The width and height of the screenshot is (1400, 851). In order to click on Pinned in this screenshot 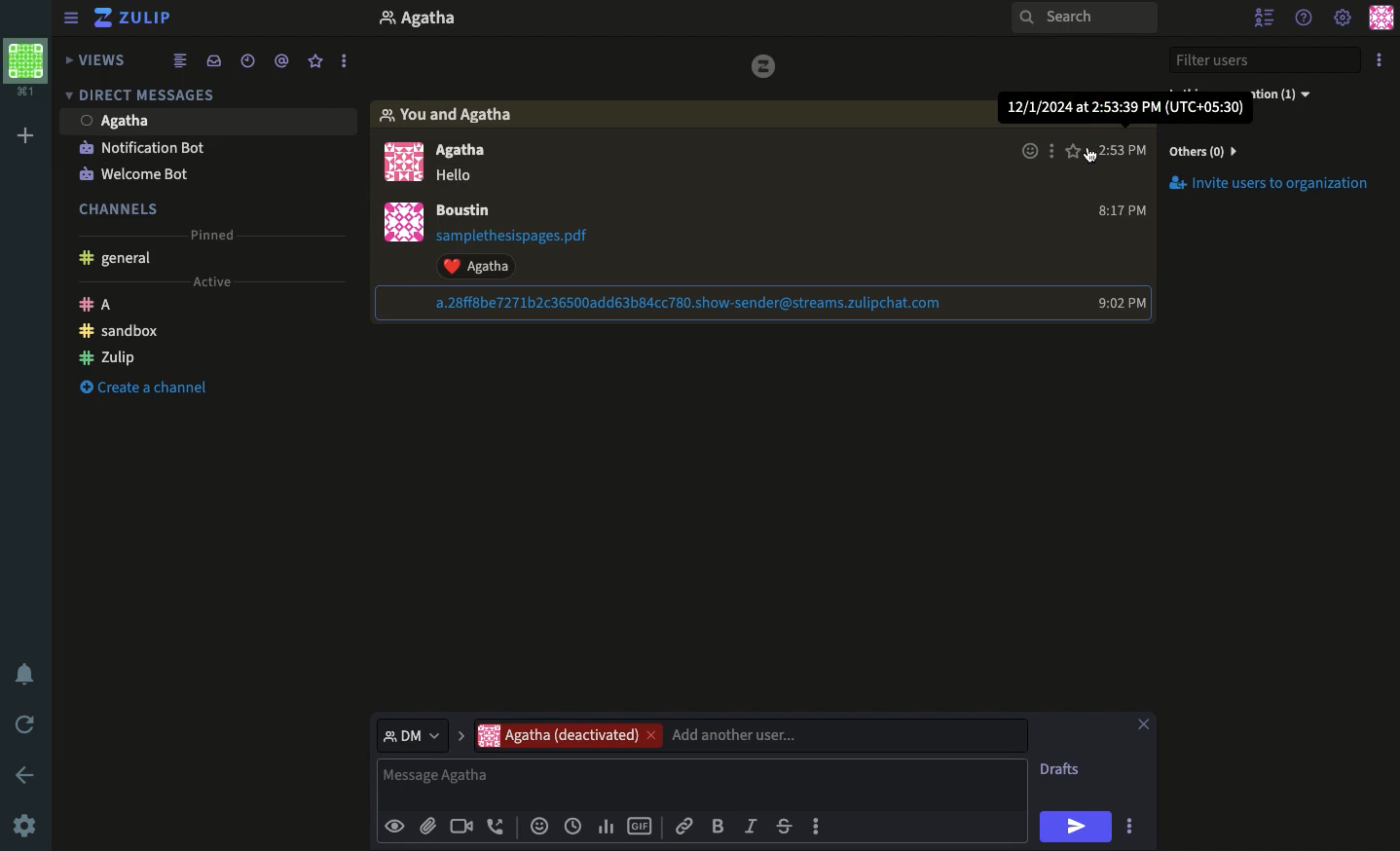, I will do `click(219, 235)`.